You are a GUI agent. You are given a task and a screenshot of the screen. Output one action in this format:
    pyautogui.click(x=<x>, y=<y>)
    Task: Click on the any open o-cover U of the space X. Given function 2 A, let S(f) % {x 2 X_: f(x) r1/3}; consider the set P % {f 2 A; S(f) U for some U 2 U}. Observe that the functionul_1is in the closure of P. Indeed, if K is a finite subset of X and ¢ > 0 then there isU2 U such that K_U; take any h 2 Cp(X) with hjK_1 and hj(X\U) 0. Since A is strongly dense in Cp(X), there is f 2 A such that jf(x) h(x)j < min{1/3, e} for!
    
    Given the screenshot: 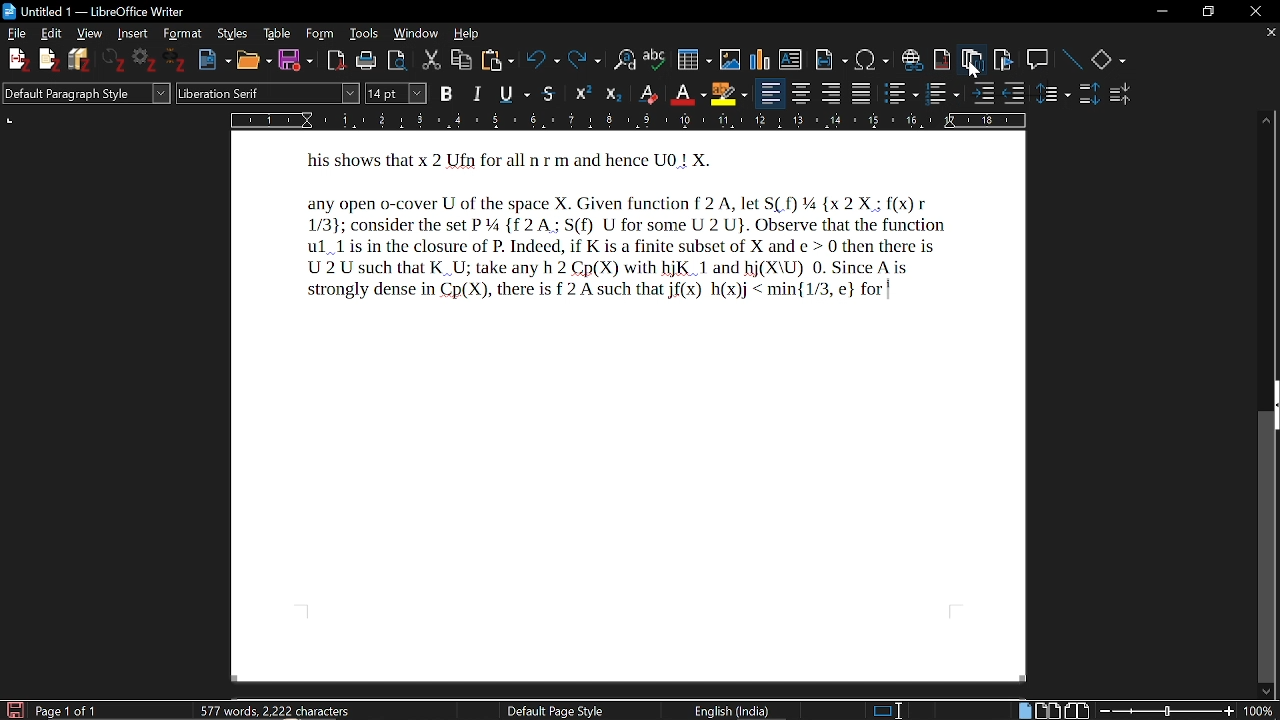 What is the action you would take?
    pyautogui.click(x=641, y=250)
    